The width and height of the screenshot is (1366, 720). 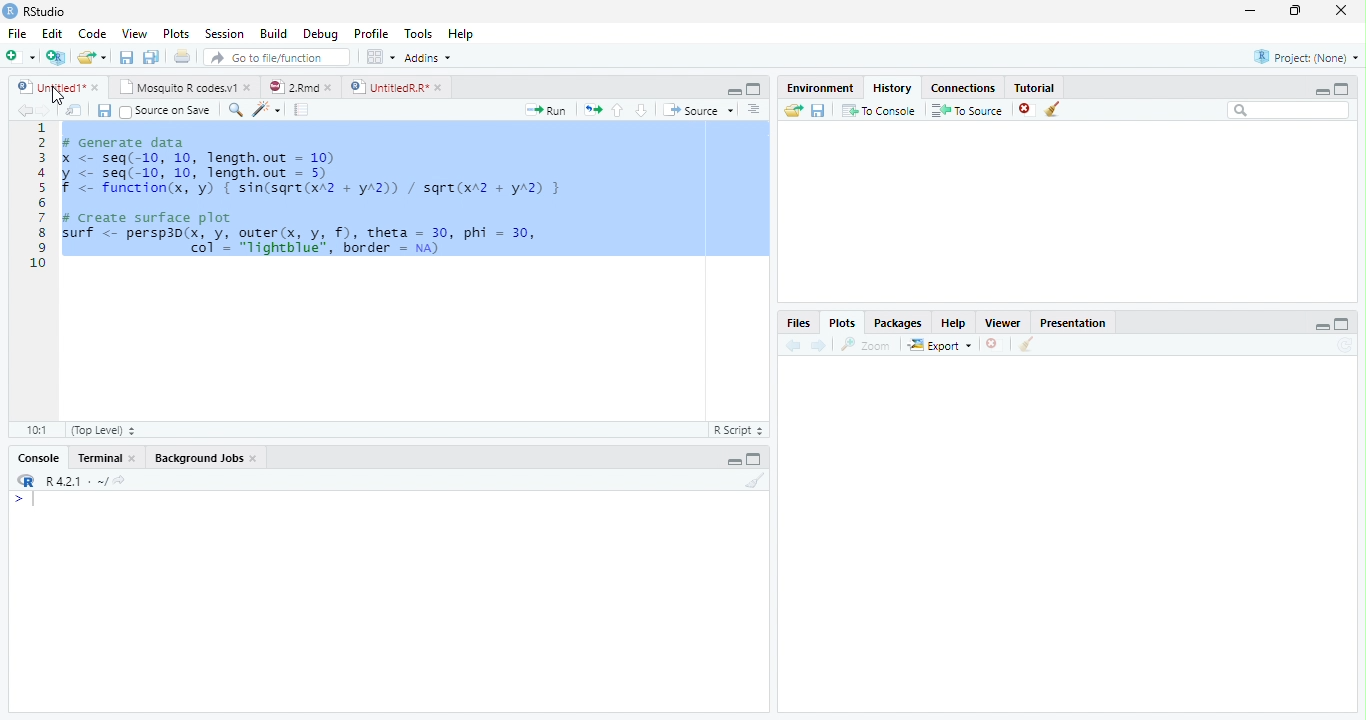 What do you see at coordinates (592, 109) in the screenshot?
I see `Re-run the previous code region` at bounding box center [592, 109].